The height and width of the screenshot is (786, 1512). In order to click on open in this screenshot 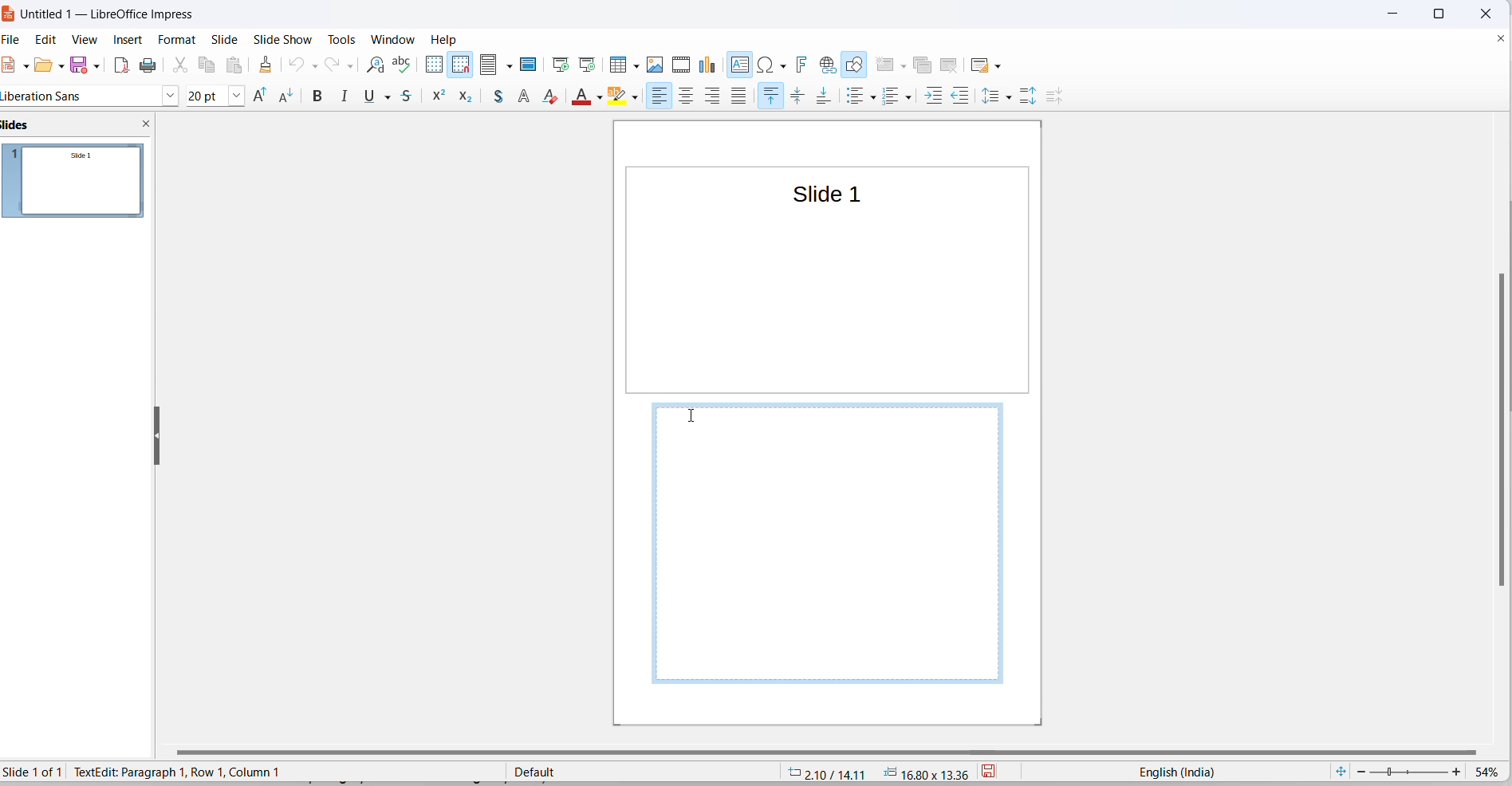, I will do `click(42, 69)`.